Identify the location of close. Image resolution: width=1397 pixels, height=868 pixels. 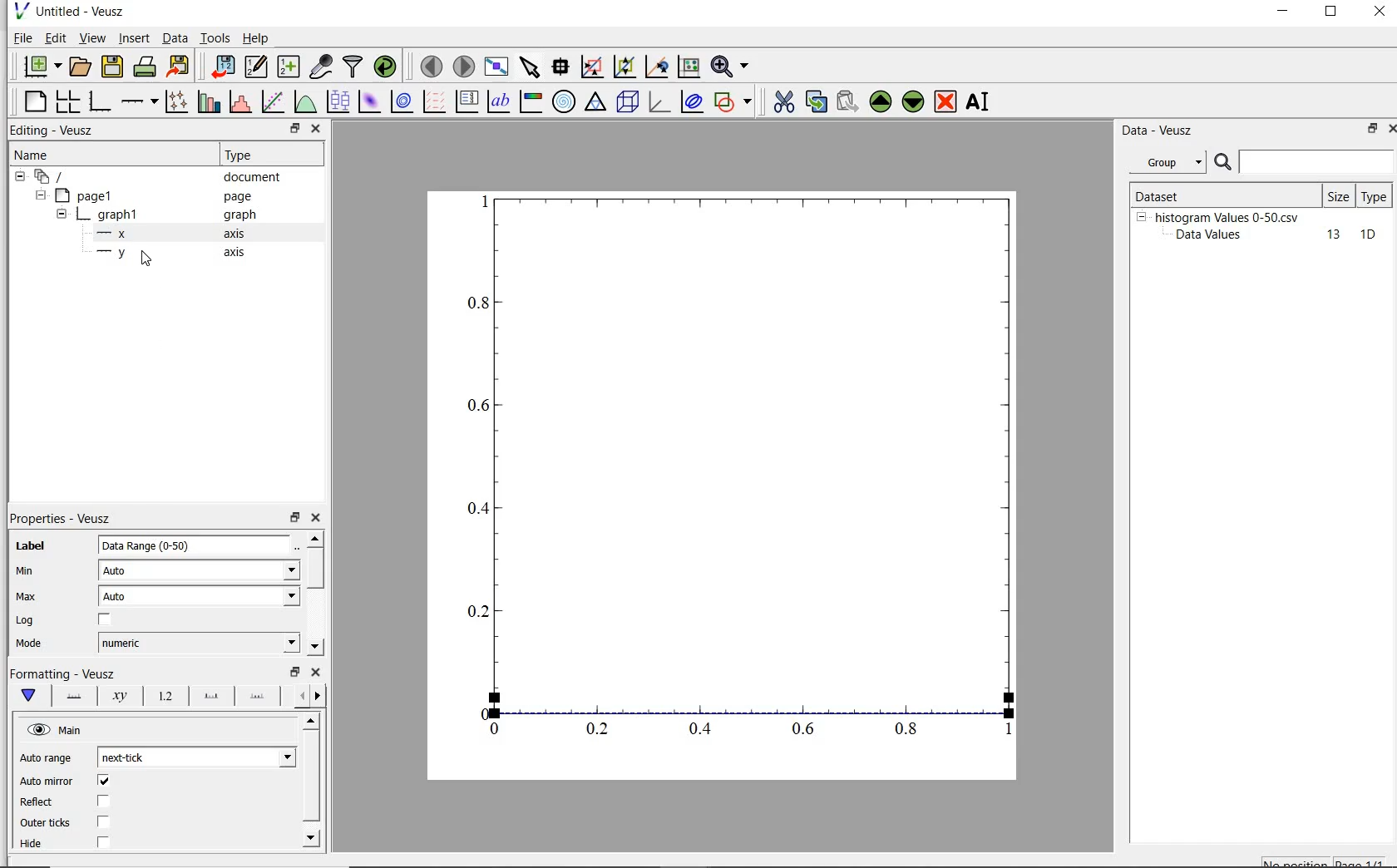
(1380, 12).